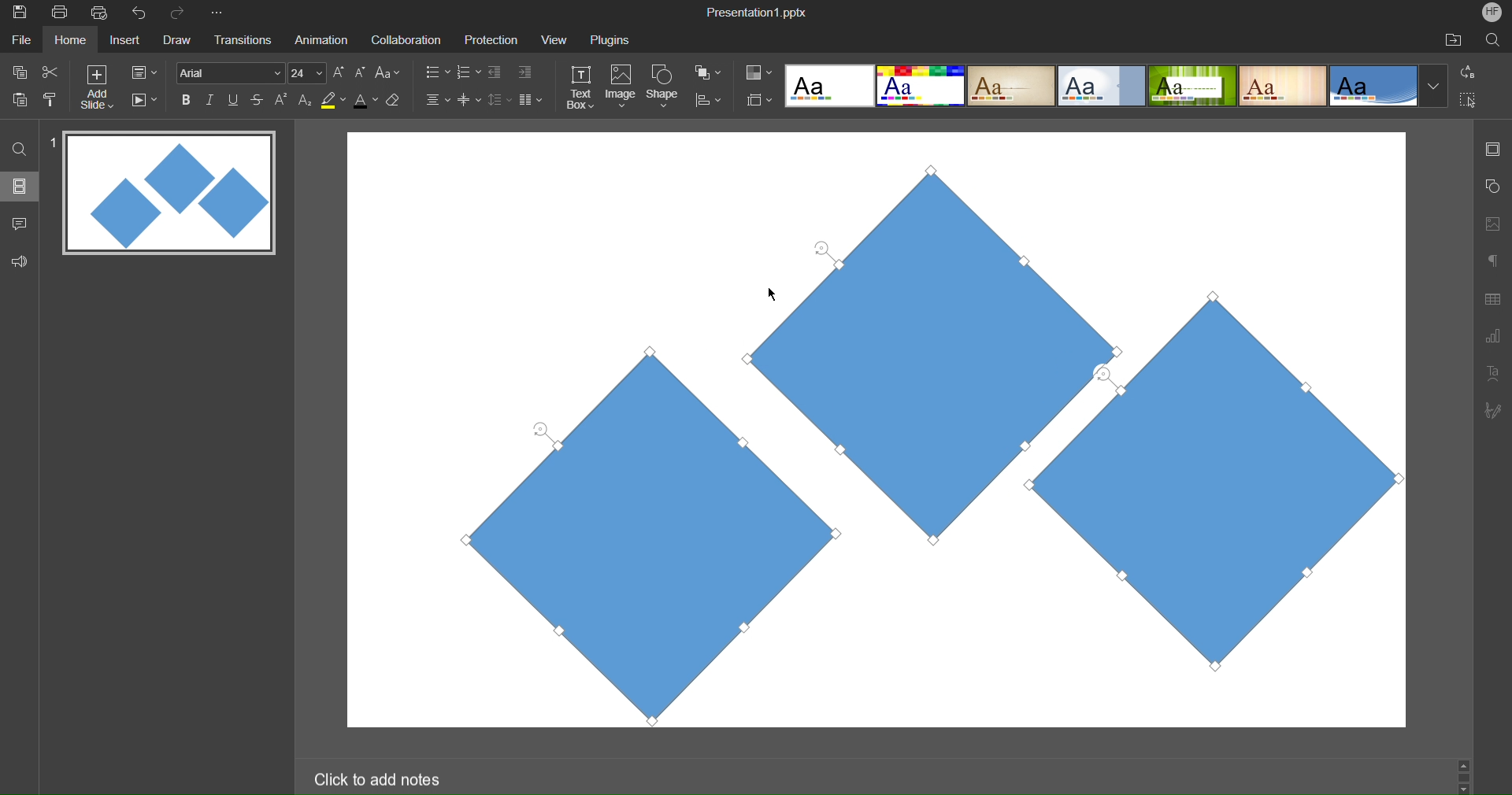 This screenshot has width=1512, height=795. I want to click on Playback, so click(143, 101).